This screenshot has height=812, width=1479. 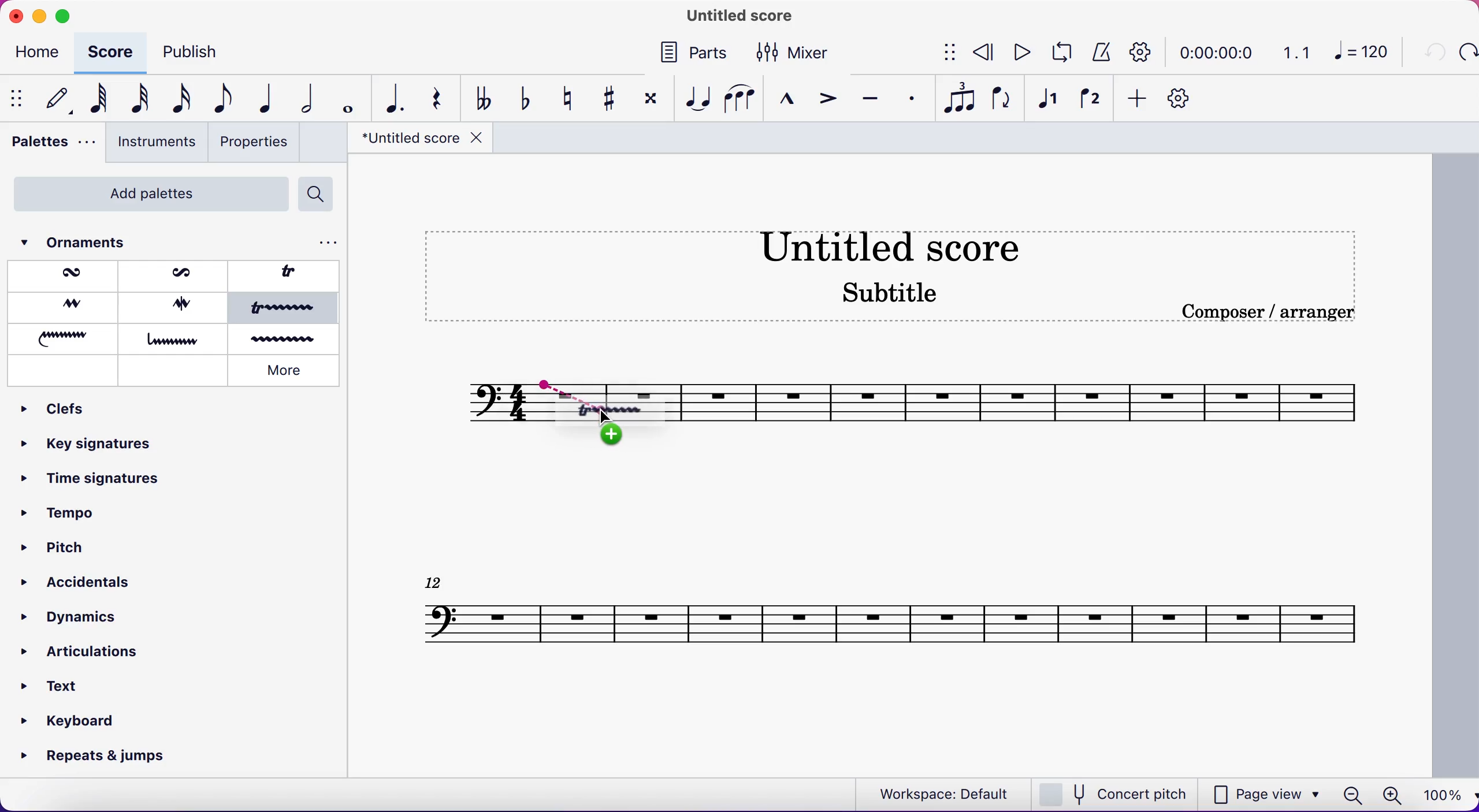 I want to click on page view, so click(x=1268, y=793).